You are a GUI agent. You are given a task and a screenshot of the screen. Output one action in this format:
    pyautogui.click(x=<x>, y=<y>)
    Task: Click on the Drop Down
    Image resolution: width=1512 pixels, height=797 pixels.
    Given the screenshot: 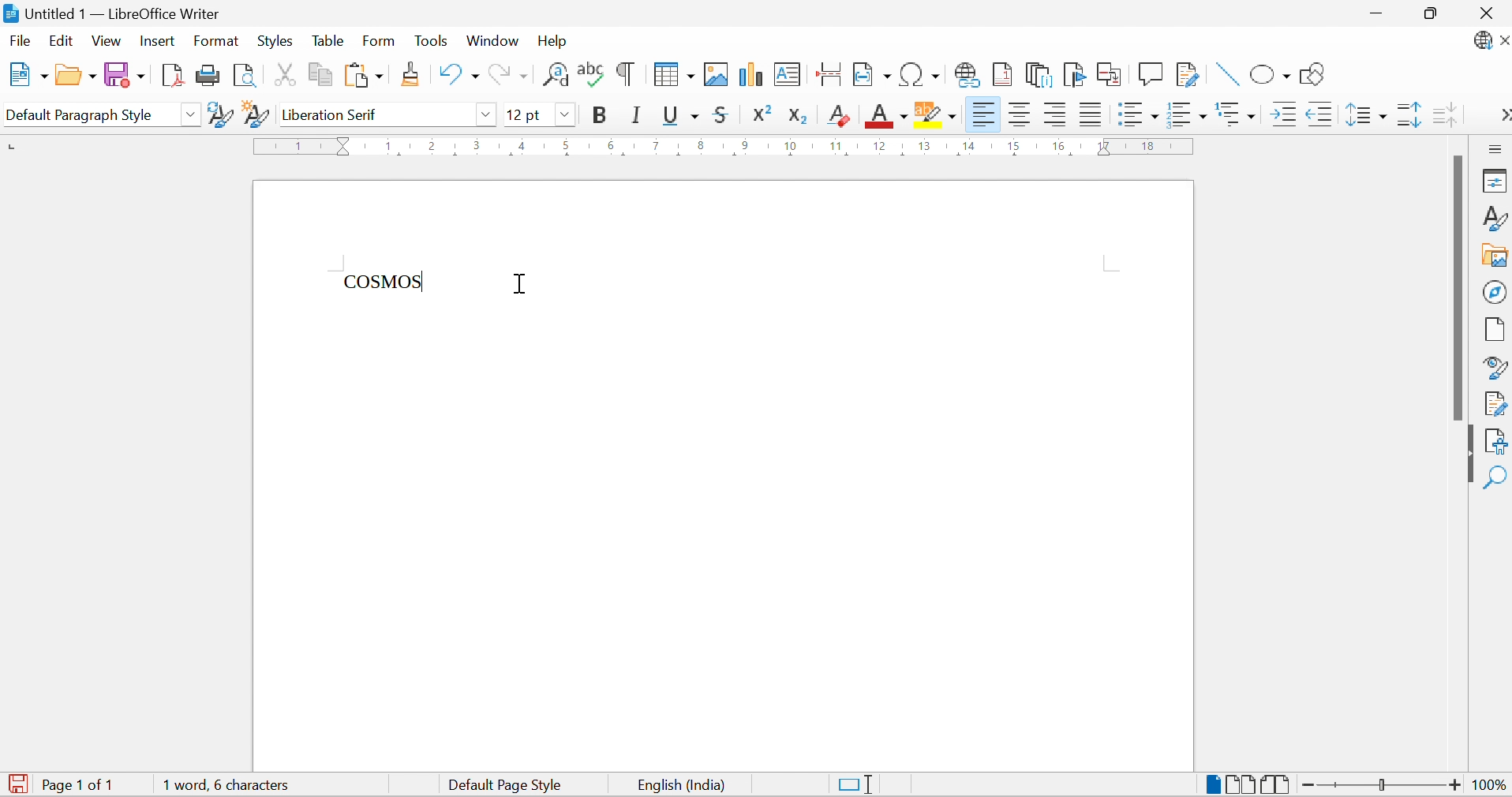 What is the action you would take?
    pyautogui.click(x=485, y=114)
    